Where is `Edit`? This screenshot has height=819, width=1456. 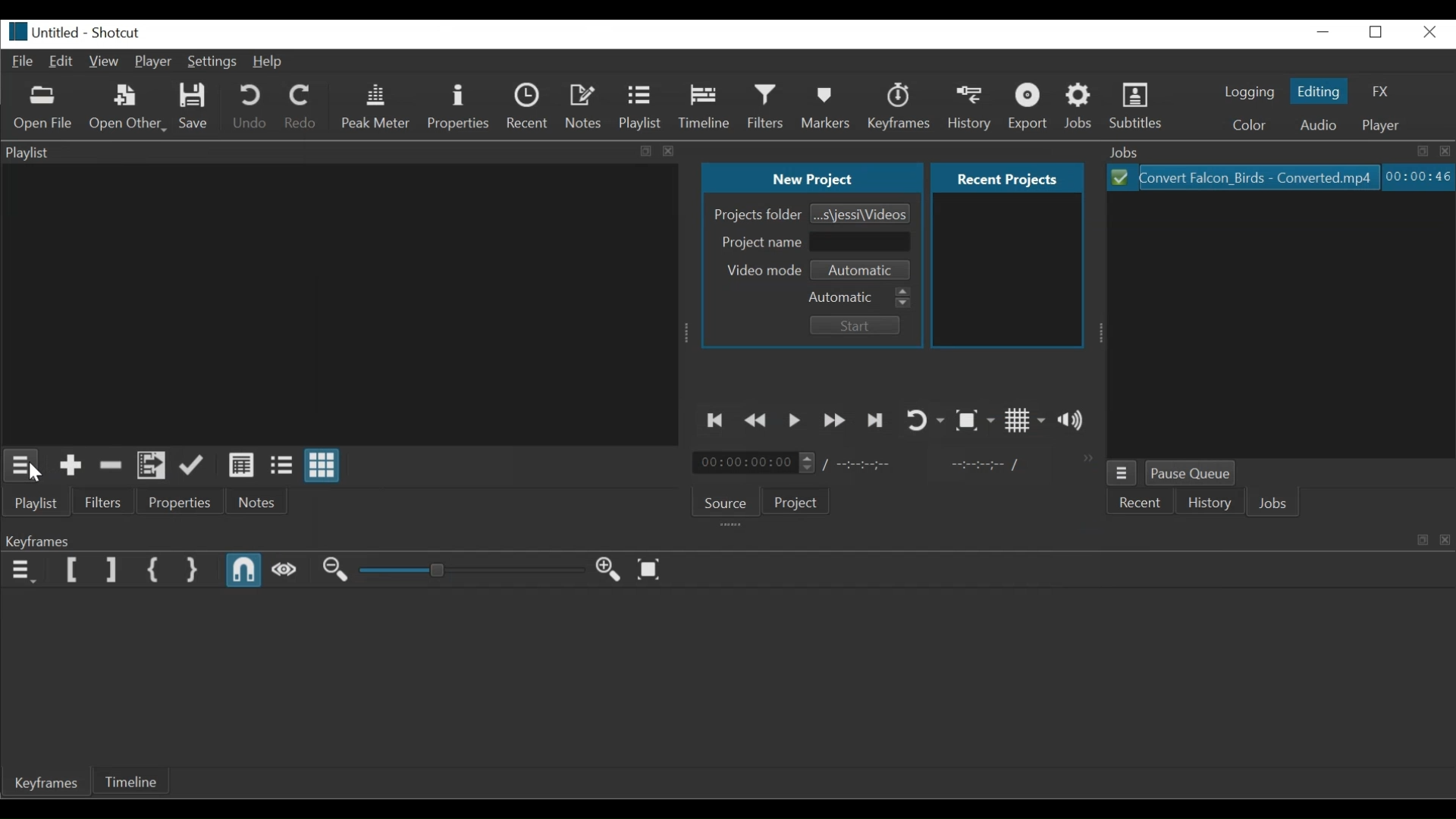 Edit is located at coordinates (61, 61).